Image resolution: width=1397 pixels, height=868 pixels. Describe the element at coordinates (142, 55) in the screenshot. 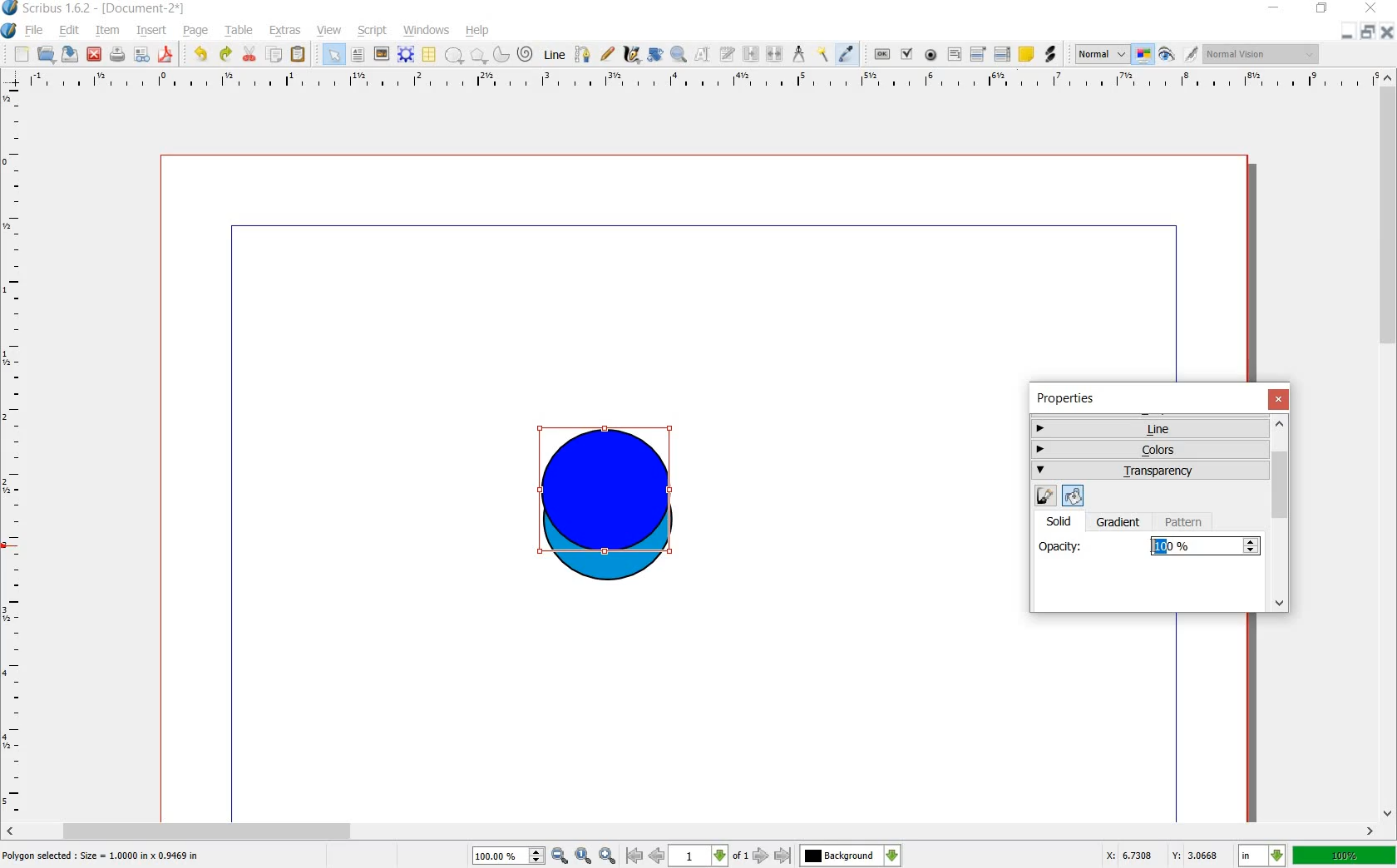

I see `preflight verifier` at that location.